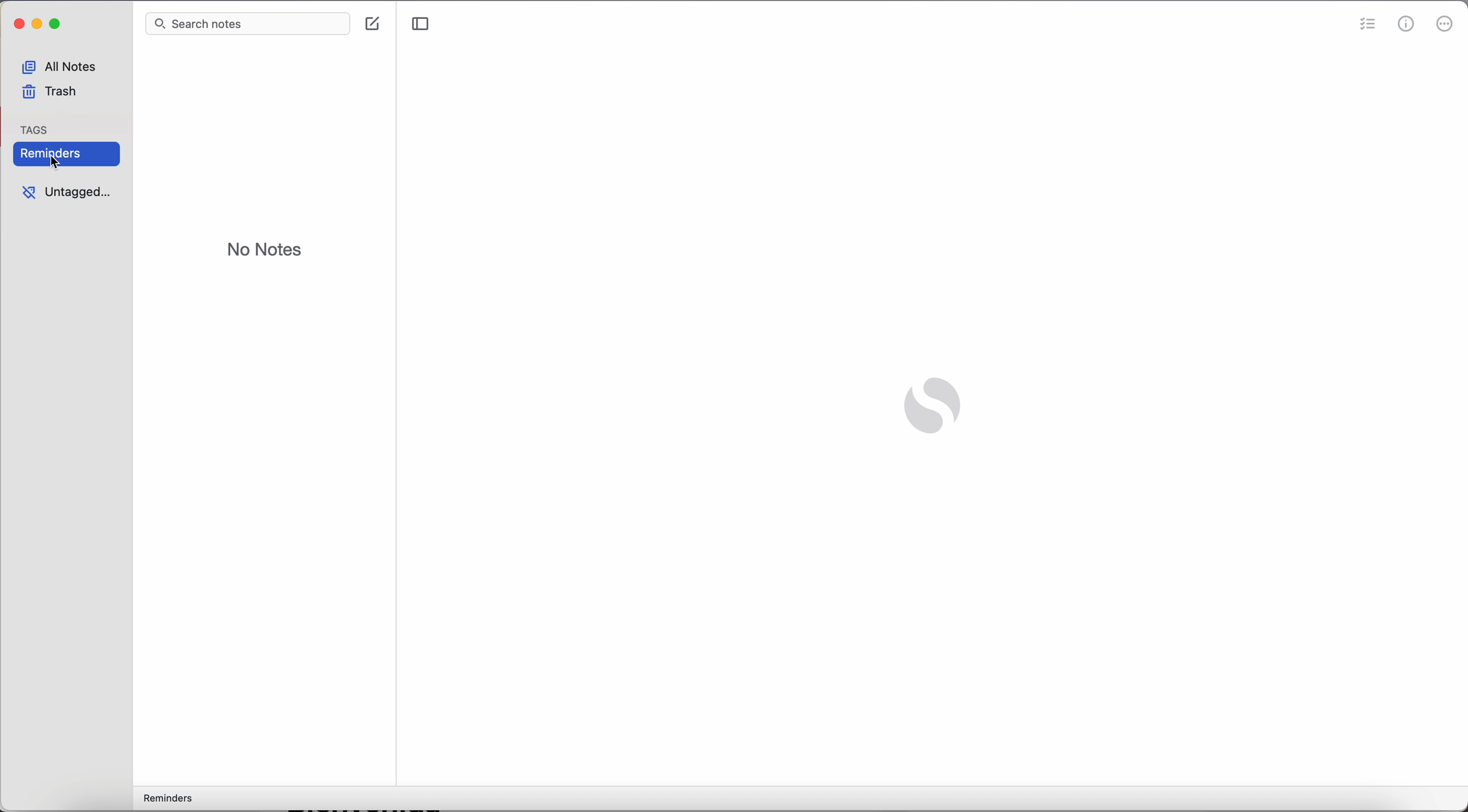 This screenshot has height=812, width=1468. Describe the element at coordinates (421, 26) in the screenshot. I see `toggle sidebar` at that location.